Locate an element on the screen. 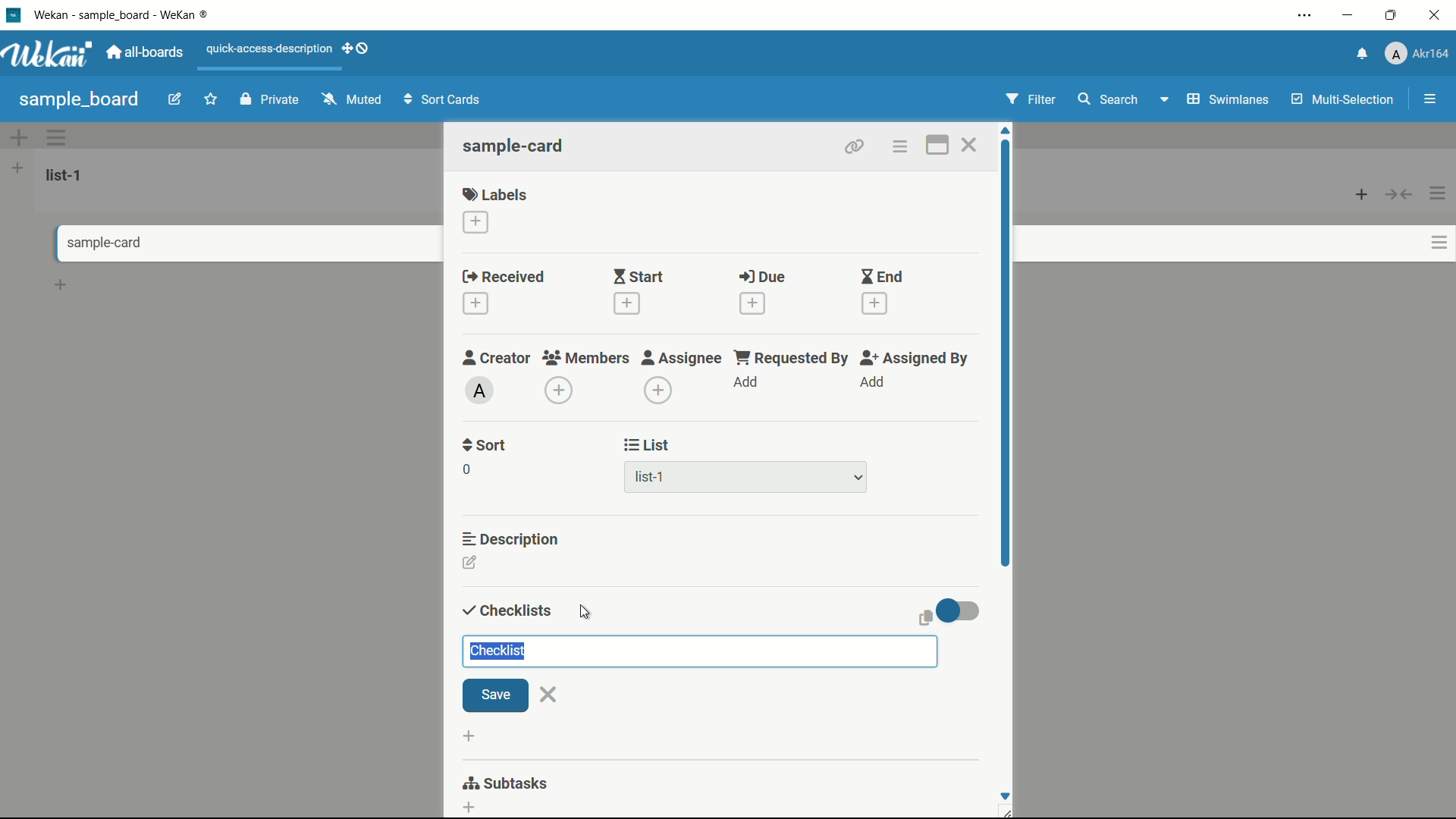 Image resolution: width=1456 pixels, height=819 pixels. add is located at coordinates (871, 382).